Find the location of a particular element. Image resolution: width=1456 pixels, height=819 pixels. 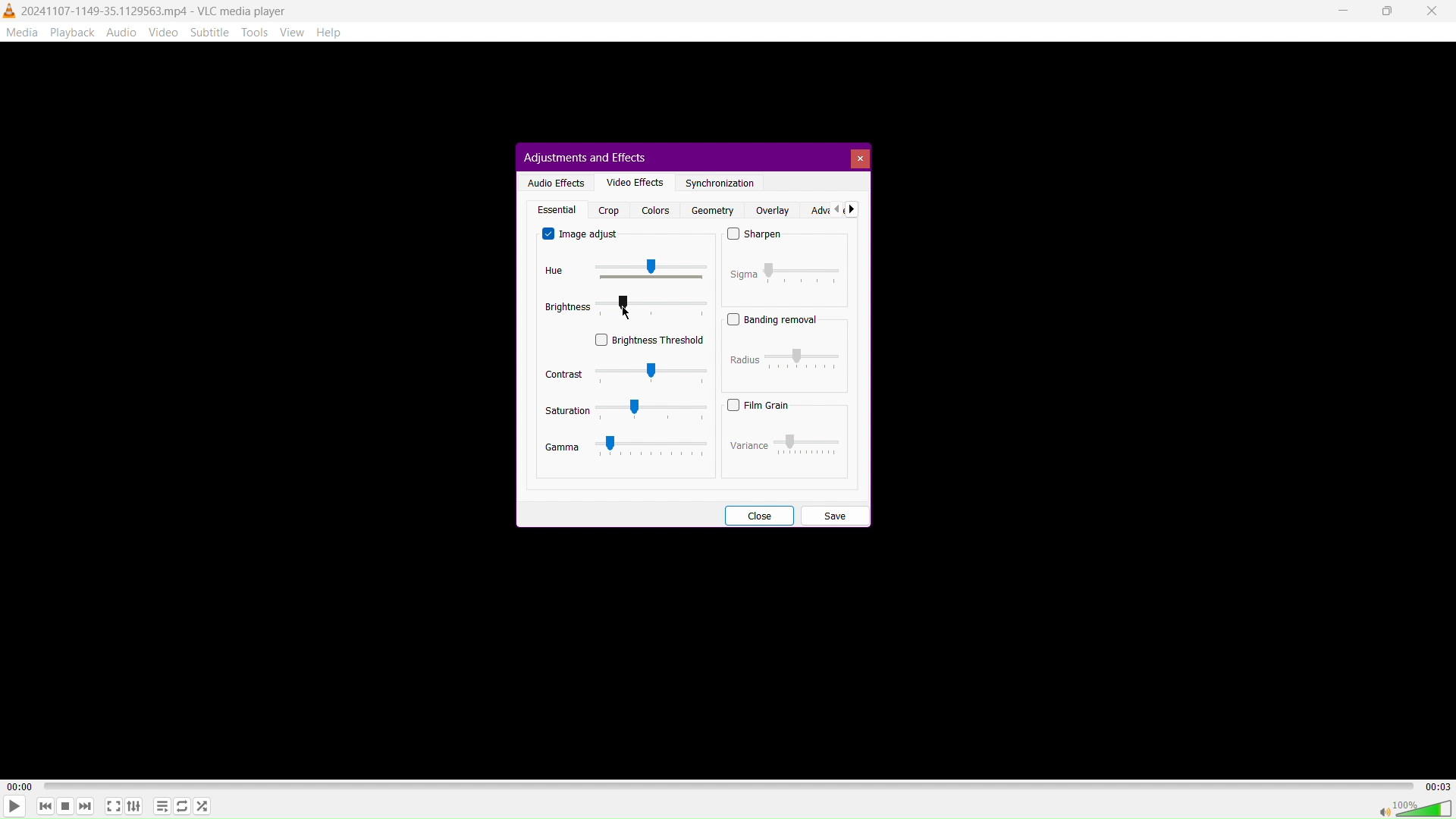

TImeline is located at coordinates (730, 784).